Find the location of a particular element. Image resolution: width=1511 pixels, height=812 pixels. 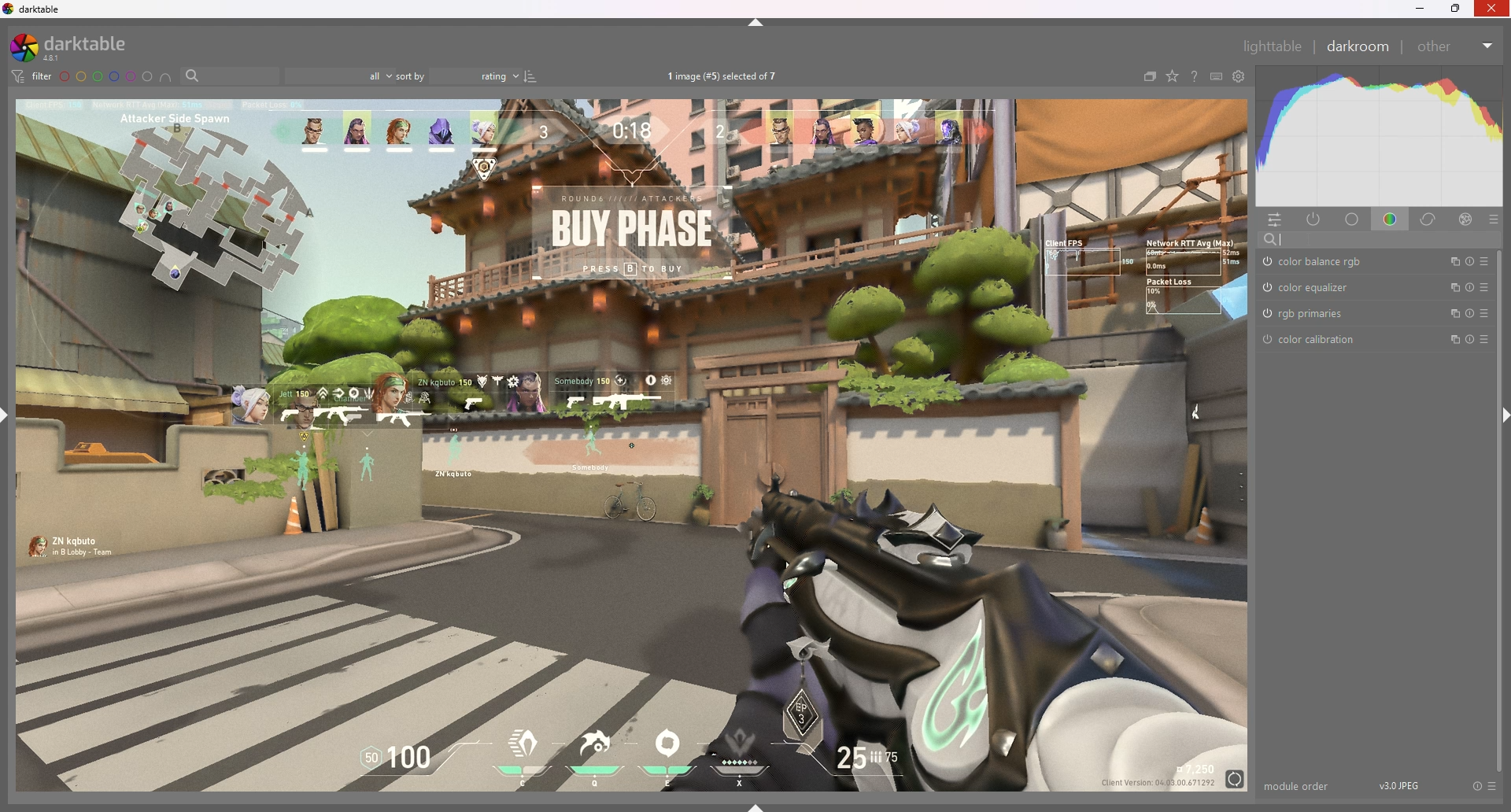

multiple instances action is located at coordinates (1450, 262).